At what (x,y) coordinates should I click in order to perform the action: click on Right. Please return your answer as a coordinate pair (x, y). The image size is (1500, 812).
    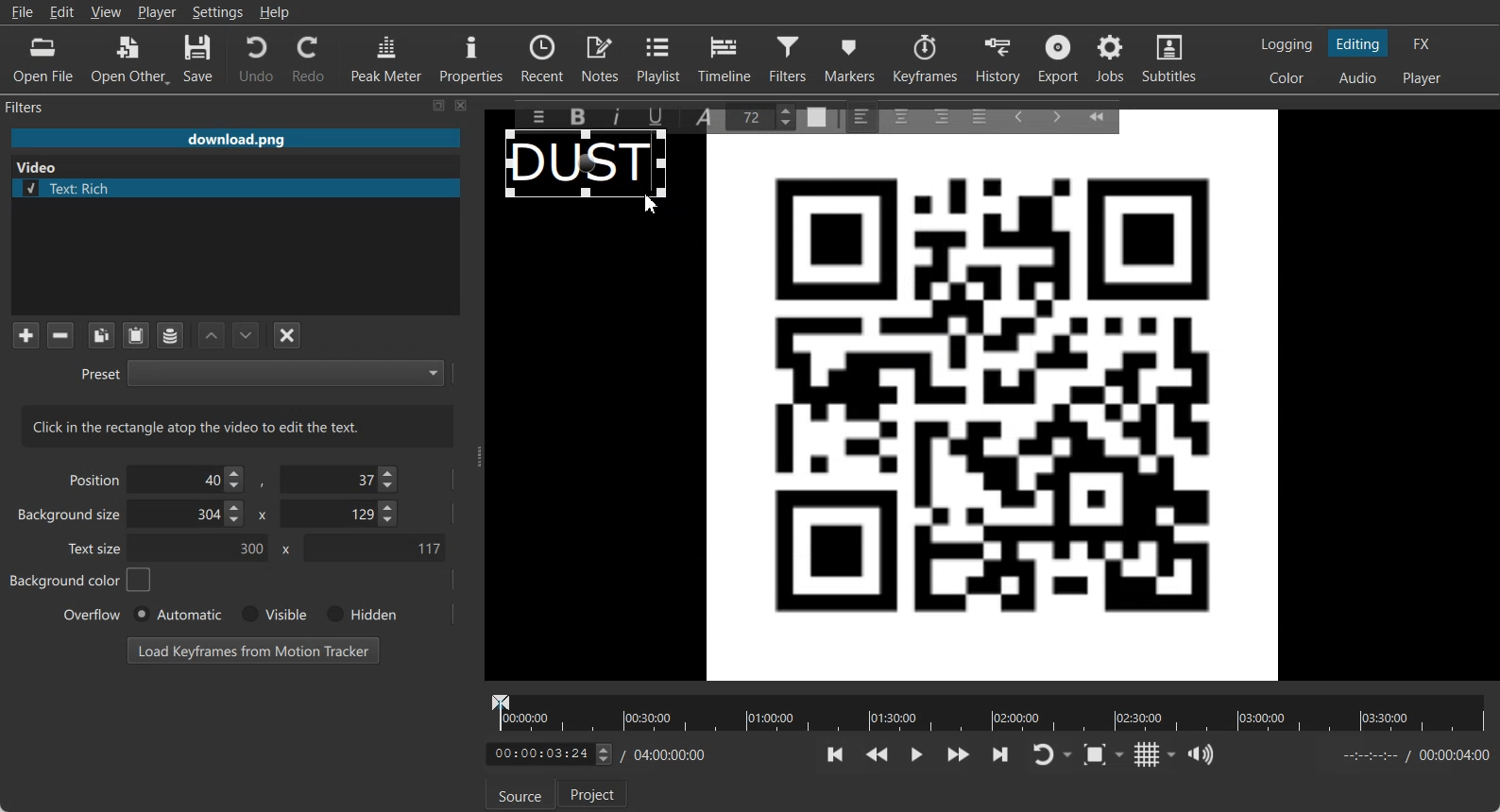
    Looking at the image, I should click on (940, 115).